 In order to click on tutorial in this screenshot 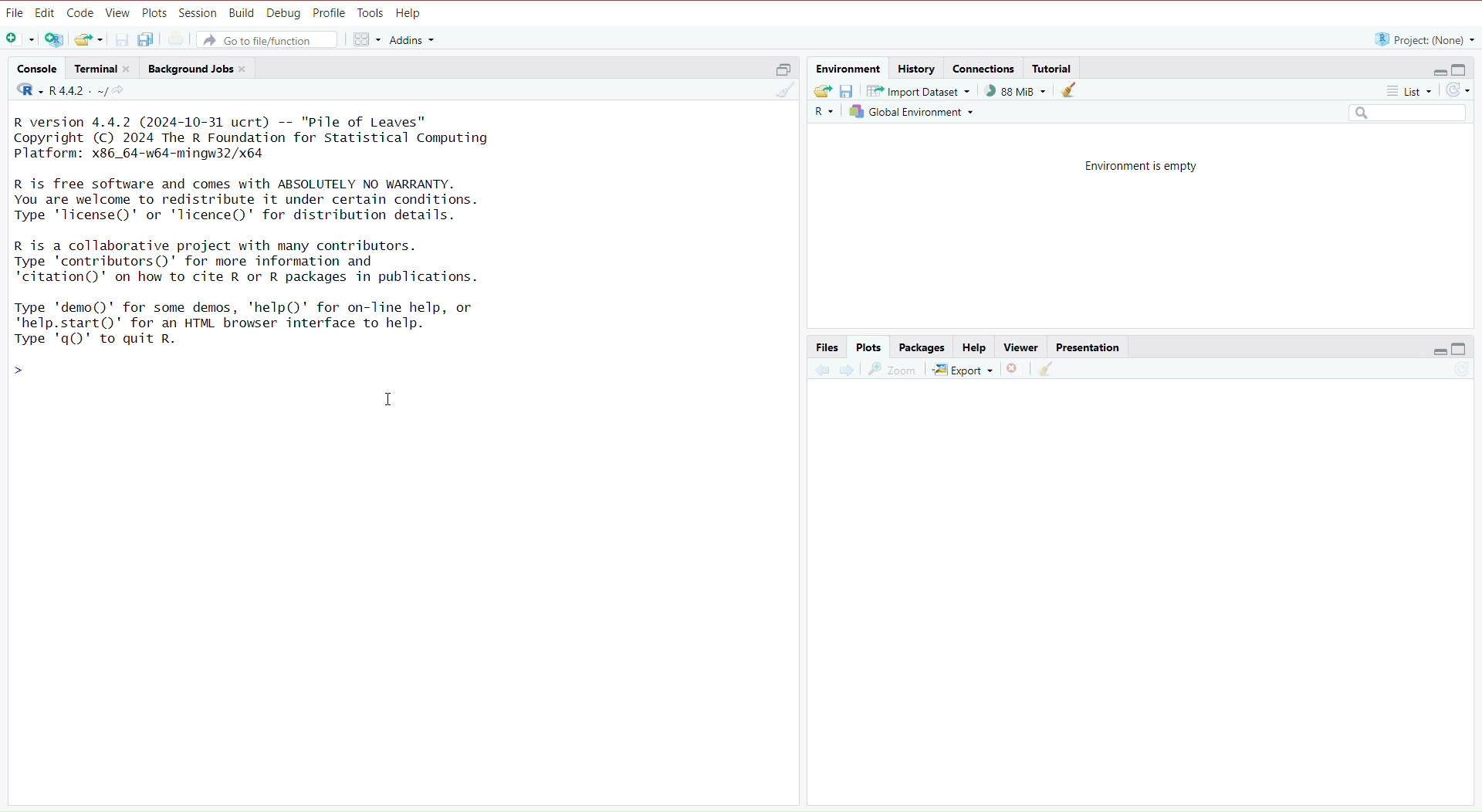, I will do `click(1054, 68)`.